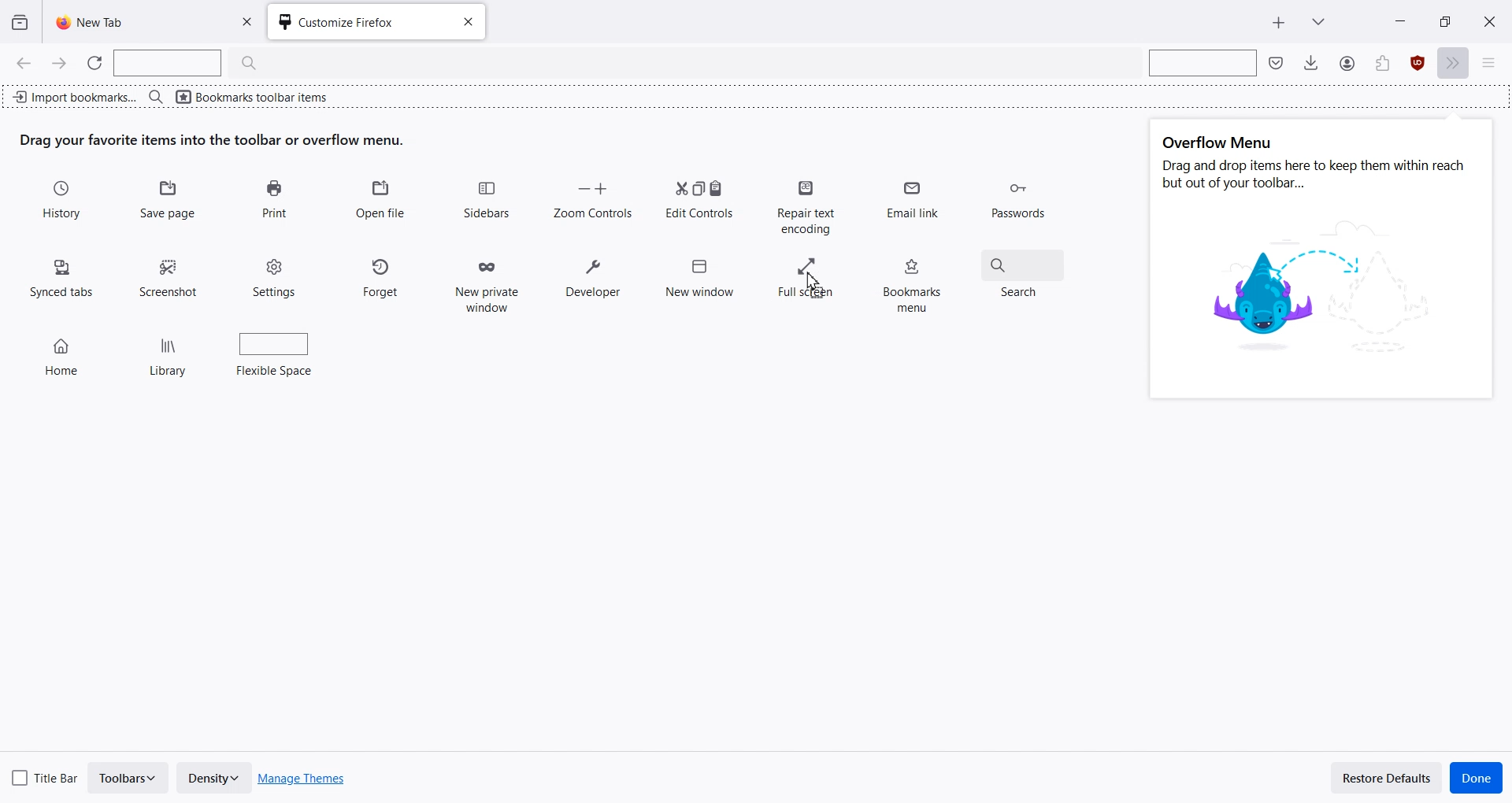 This screenshot has height=803, width=1512. Describe the element at coordinates (213, 140) in the screenshot. I see `Text` at that location.